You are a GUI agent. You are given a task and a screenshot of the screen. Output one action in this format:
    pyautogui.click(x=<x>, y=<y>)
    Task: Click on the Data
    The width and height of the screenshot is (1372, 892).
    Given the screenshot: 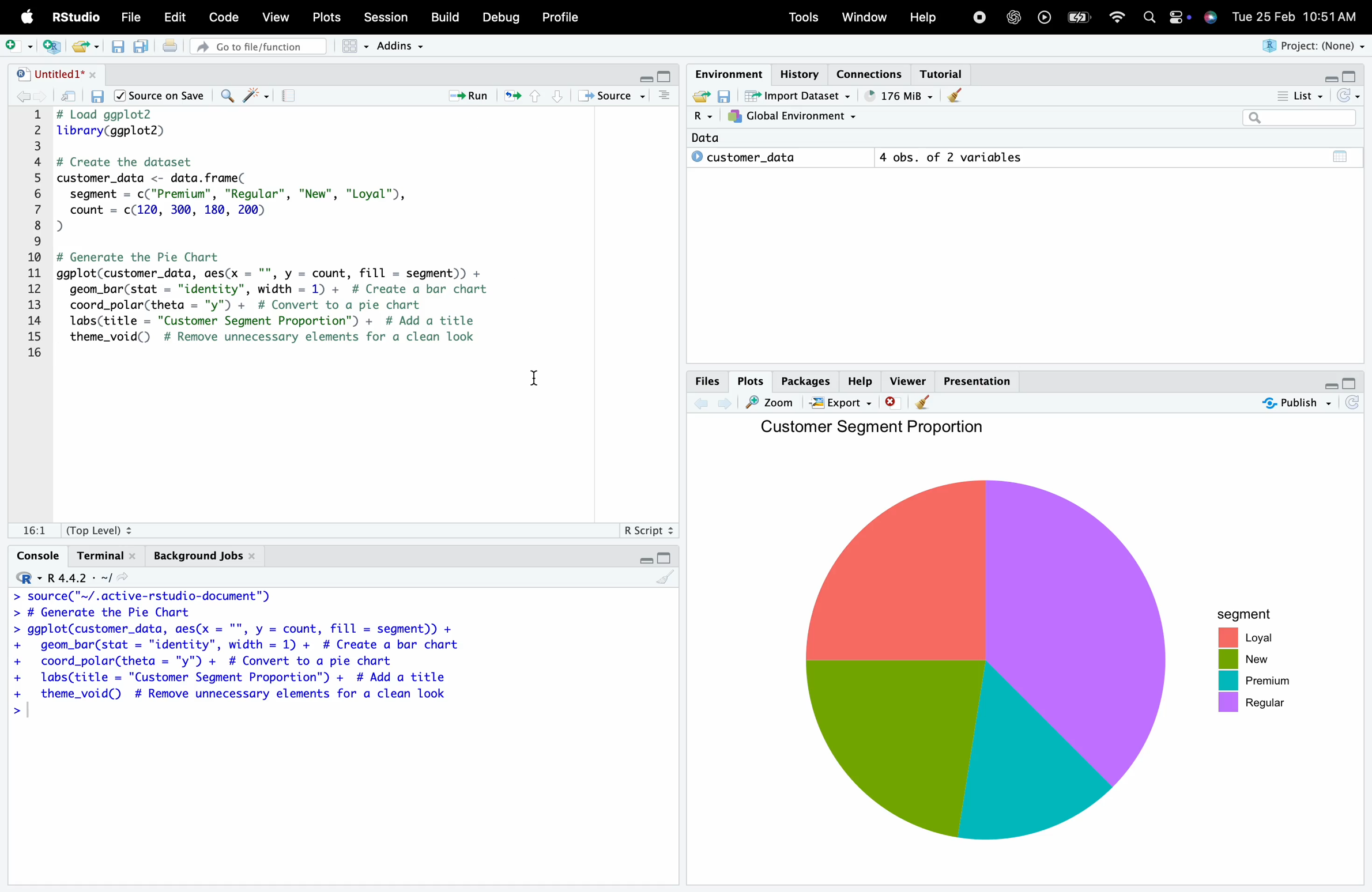 What is the action you would take?
    pyautogui.click(x=700, y=138)
    